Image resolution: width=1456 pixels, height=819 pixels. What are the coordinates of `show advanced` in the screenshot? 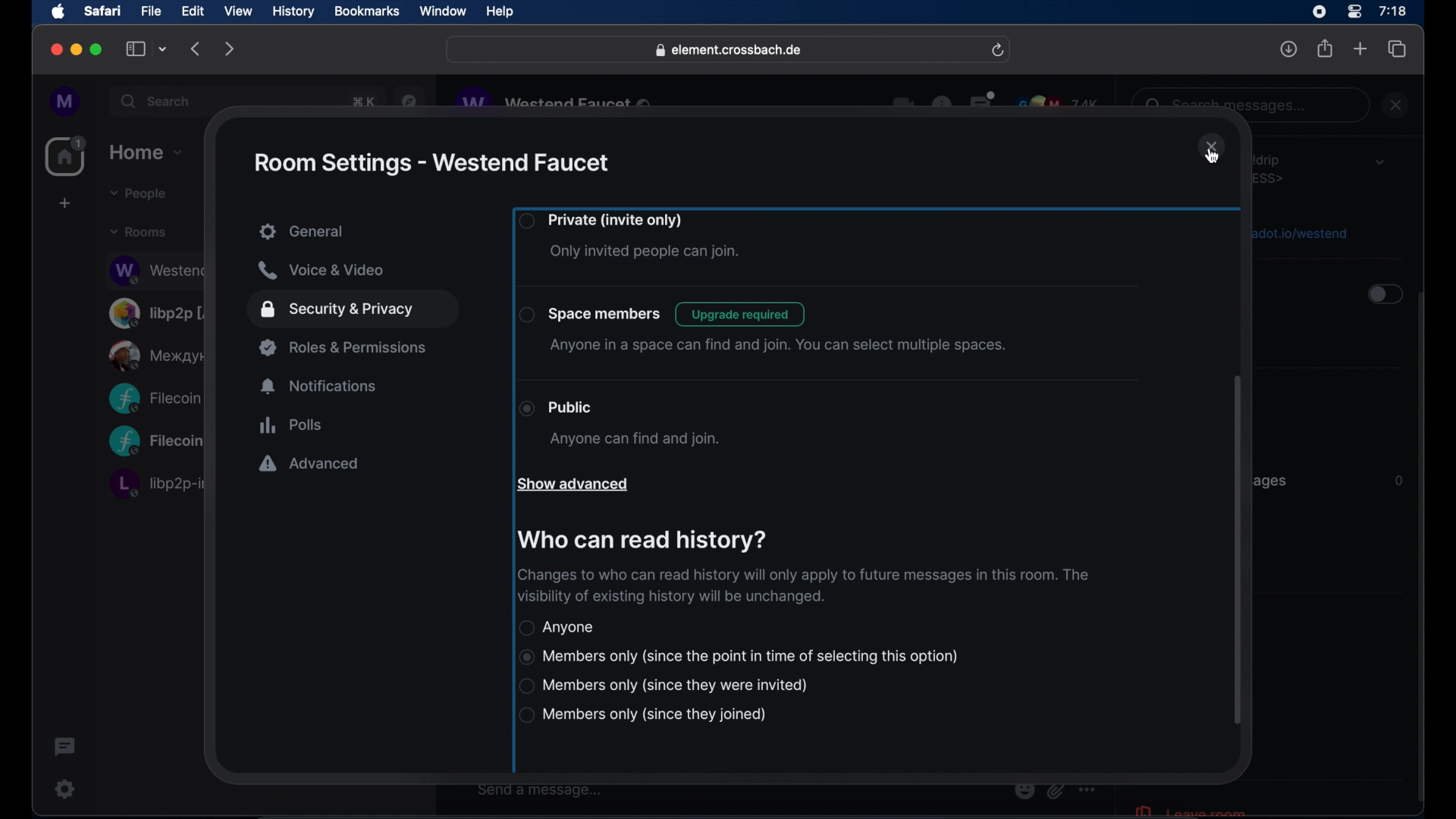 It's located at (572, 485).